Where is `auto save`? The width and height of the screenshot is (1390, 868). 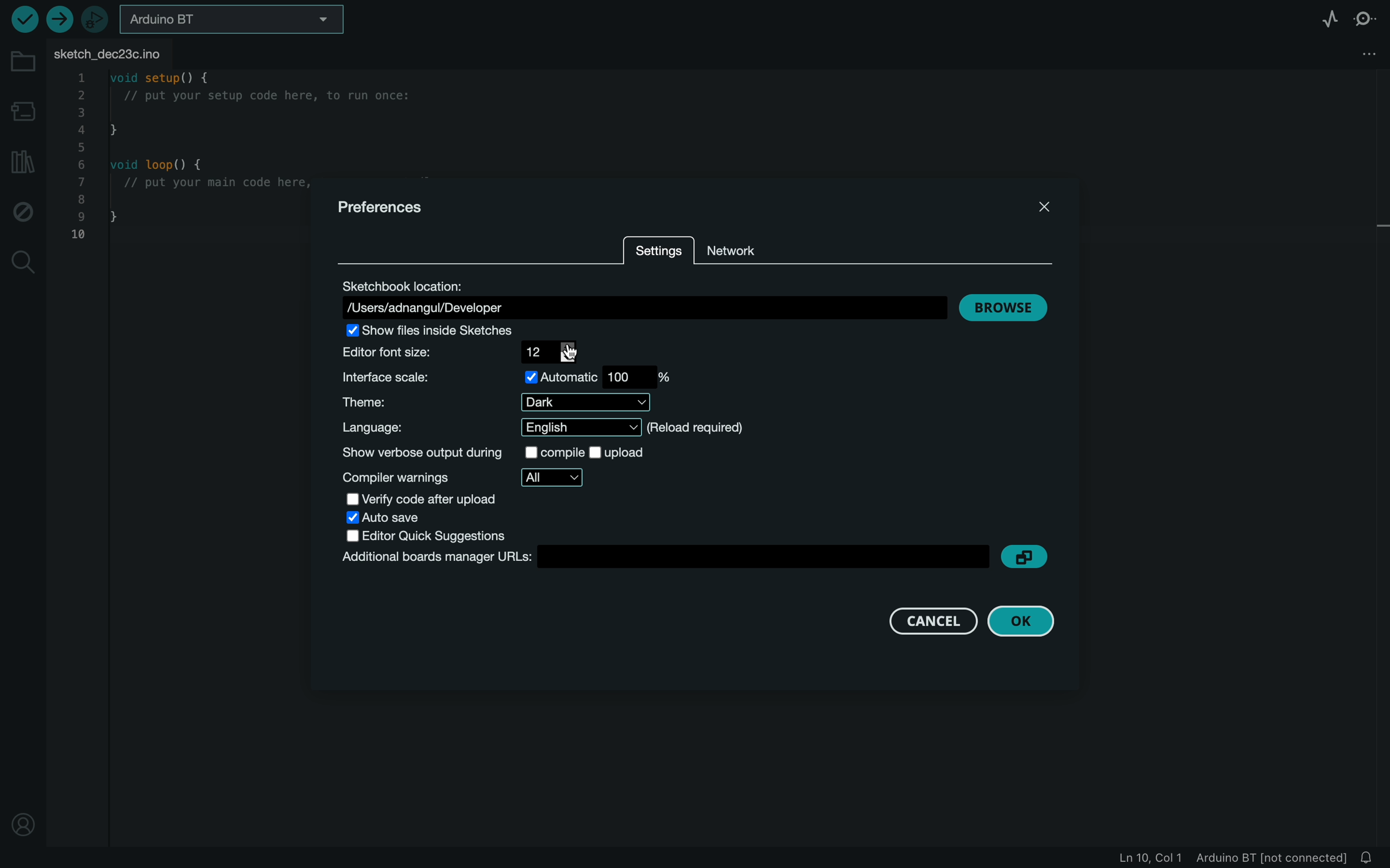 auto save is located at coordinates (406, 519).